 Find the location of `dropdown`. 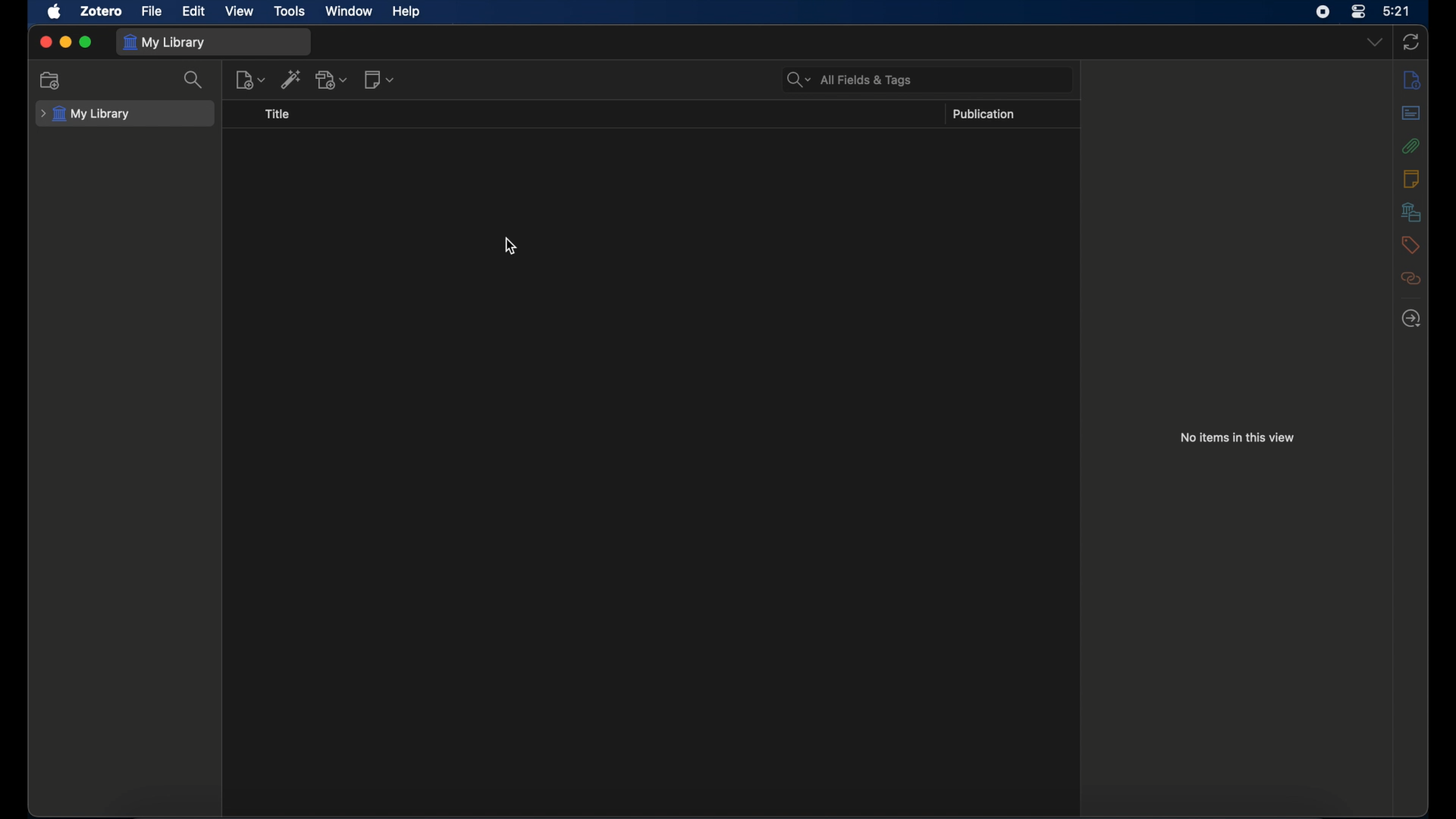

dropdown is located at coordinates (1373, 42).